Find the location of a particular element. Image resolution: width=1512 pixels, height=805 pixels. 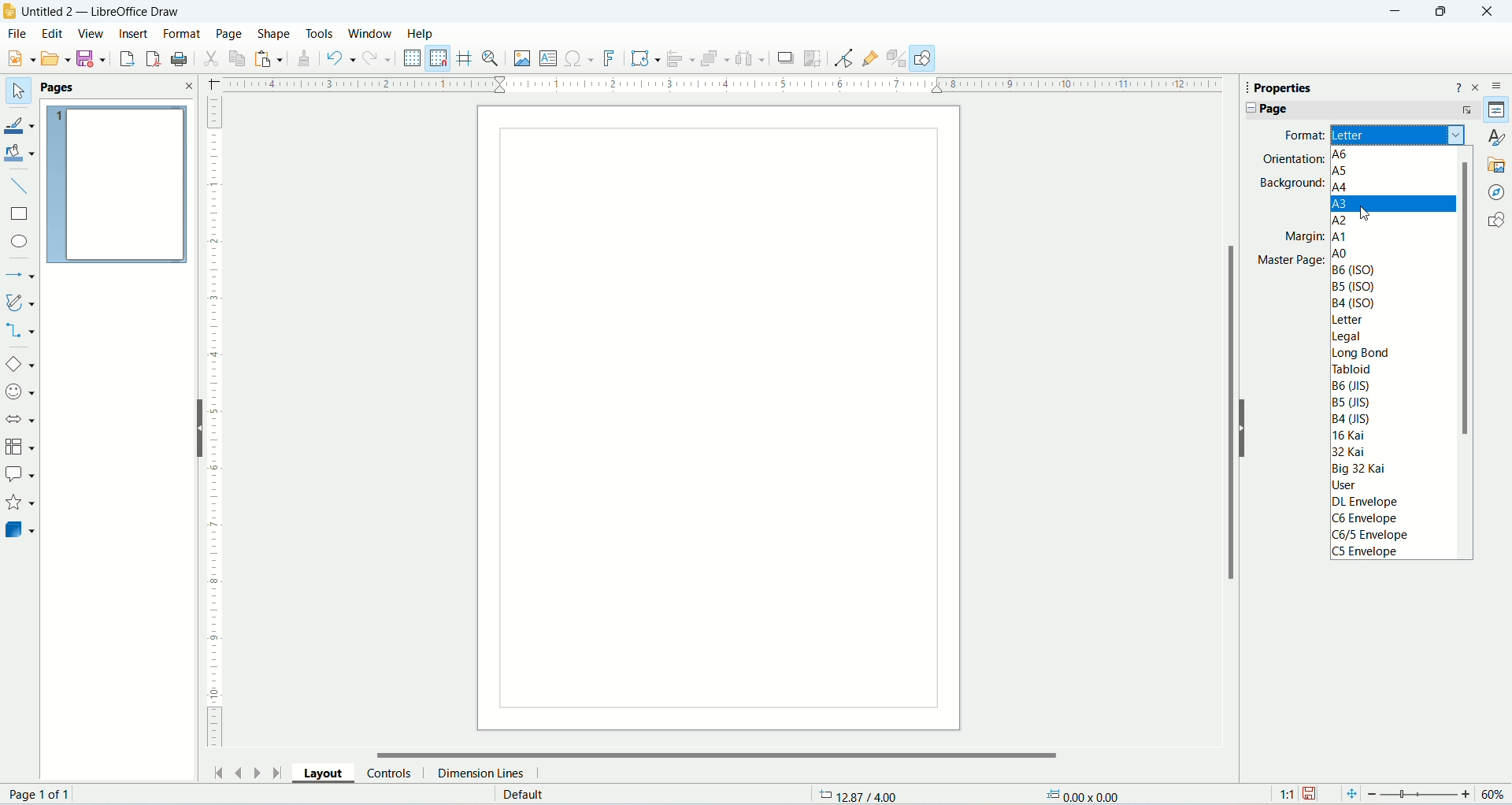

basic shapes is located at coordinates (22, 365).